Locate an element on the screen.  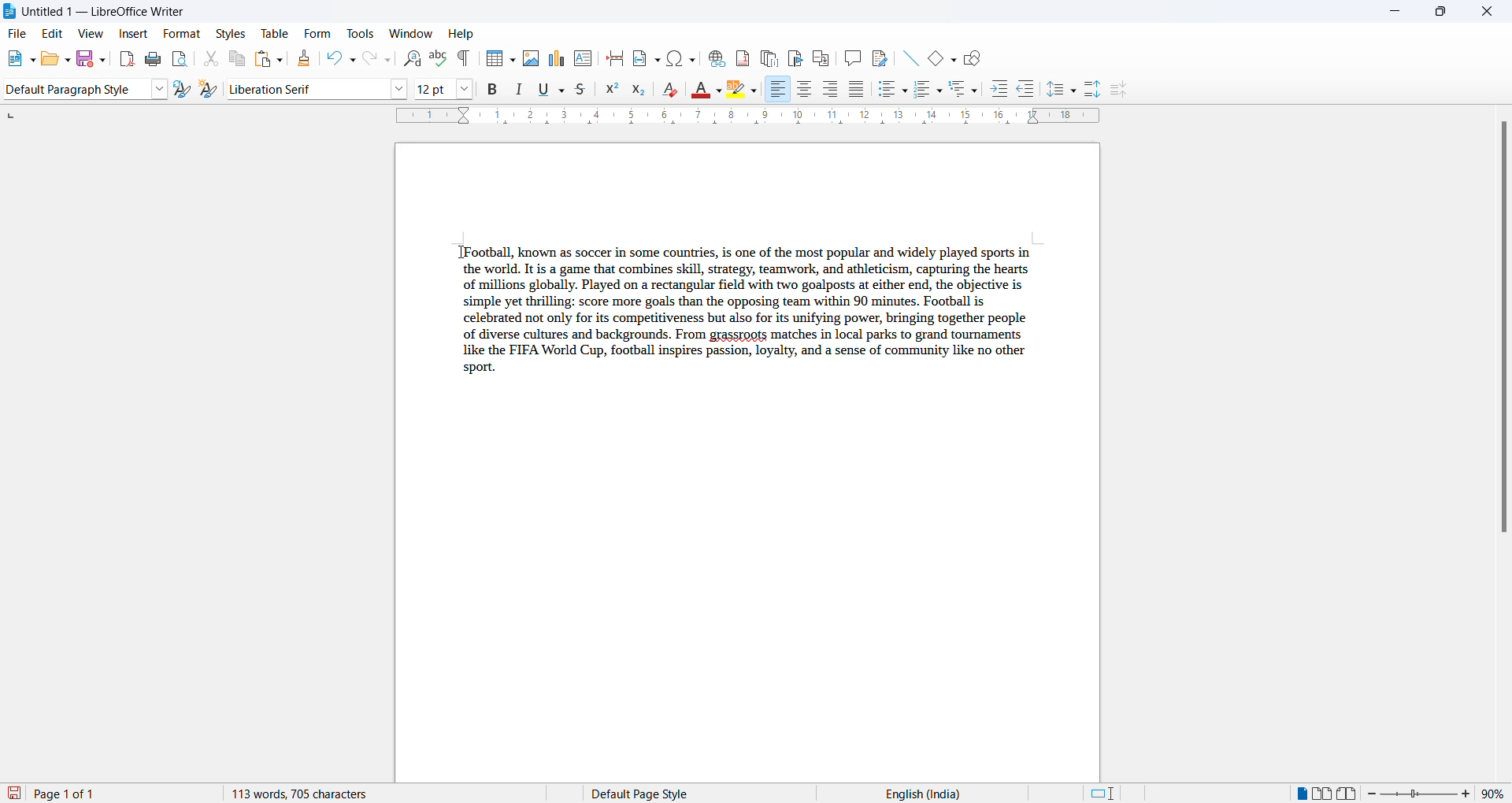
line spacing is located at coordinates (1053, 88).